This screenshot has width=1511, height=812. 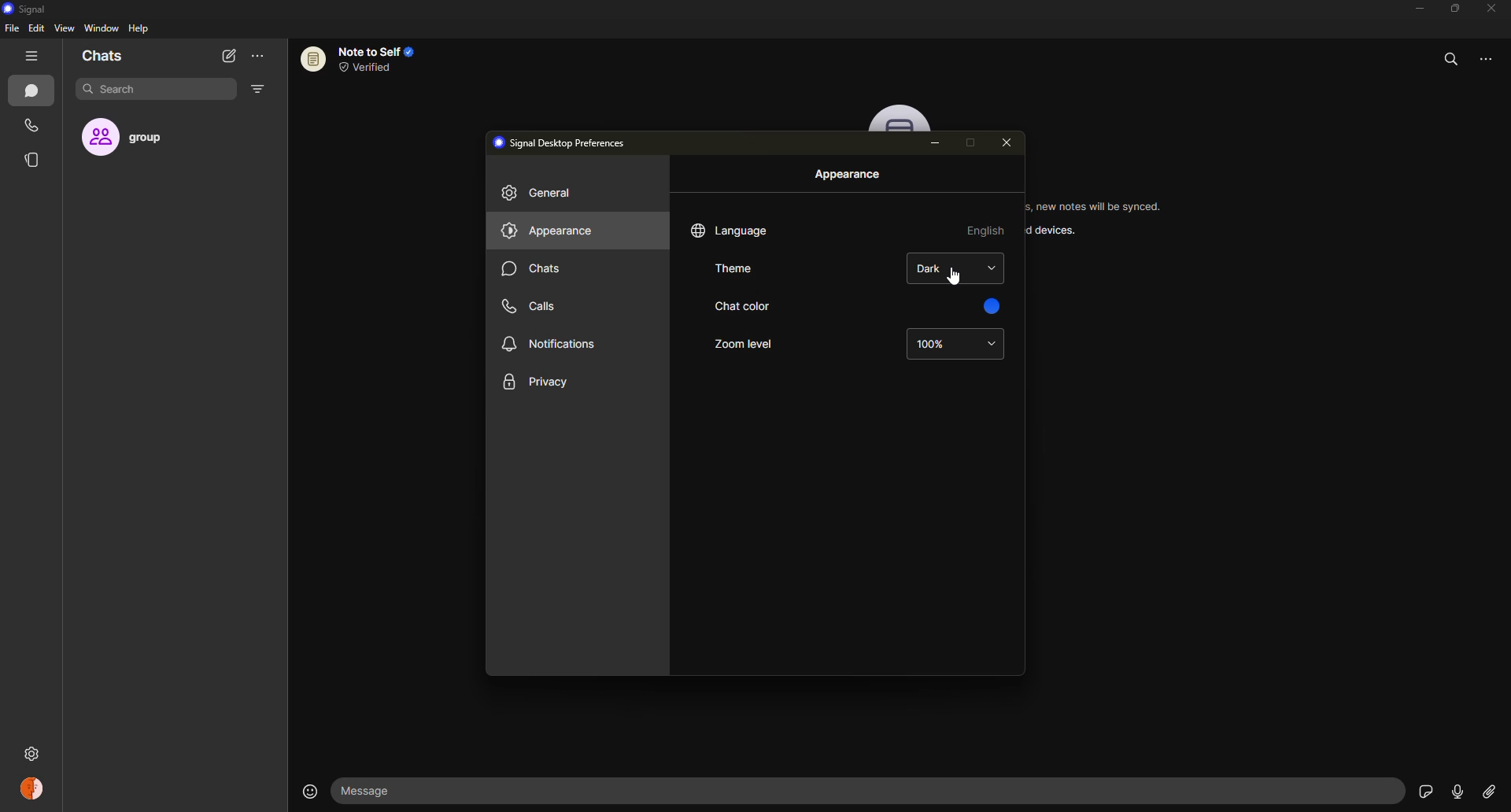 What do you see at coordinates (31, 754) in the screenshot?
I see `settings` at bounding box center [31, 754].